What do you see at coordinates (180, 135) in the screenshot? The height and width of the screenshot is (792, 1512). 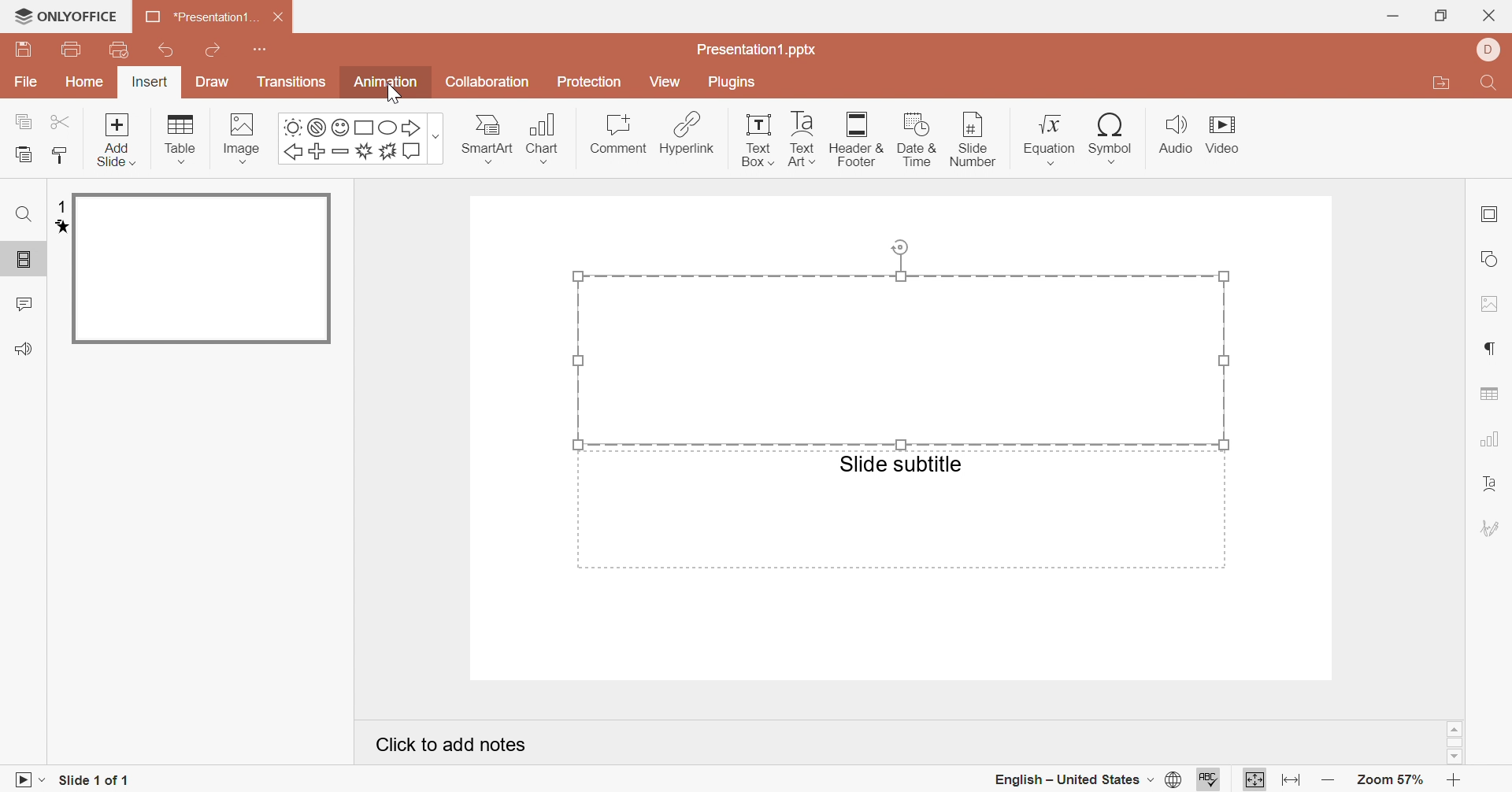 I see `table` at bounding box center [180, 135].